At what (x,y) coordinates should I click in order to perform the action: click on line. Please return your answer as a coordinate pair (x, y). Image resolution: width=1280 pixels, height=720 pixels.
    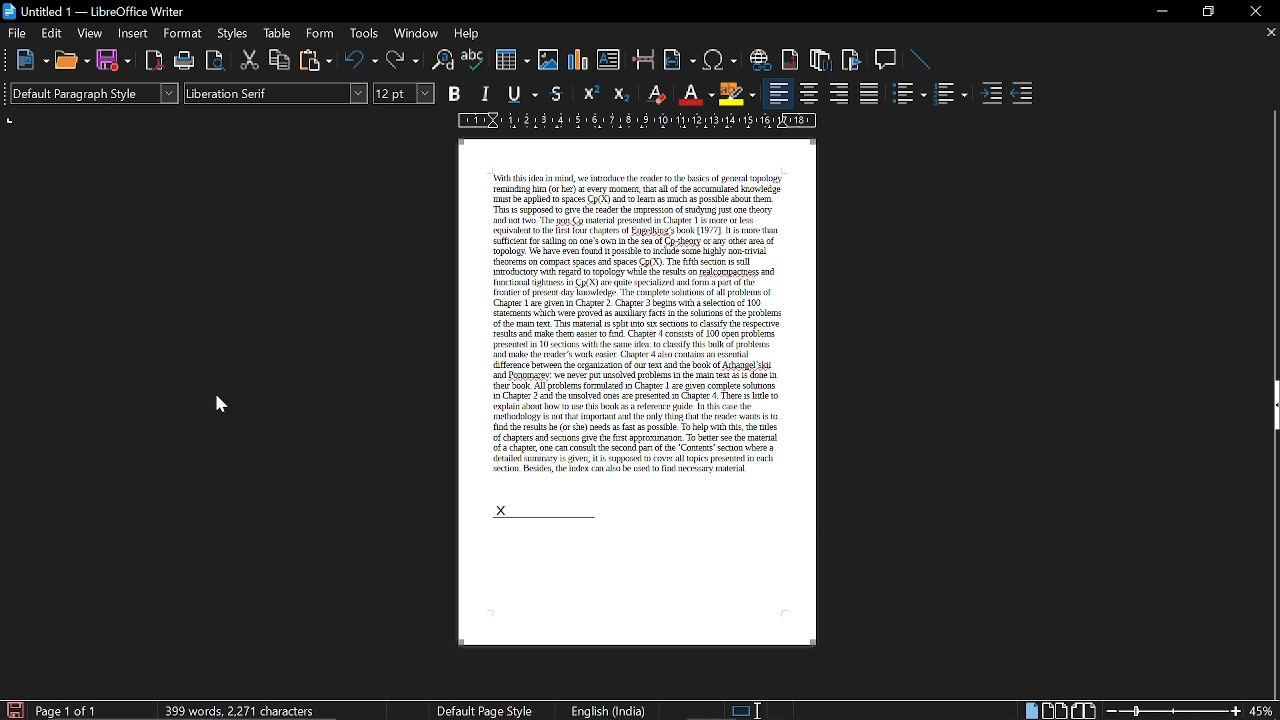
    Looking at the image, I should click on (918, 61).